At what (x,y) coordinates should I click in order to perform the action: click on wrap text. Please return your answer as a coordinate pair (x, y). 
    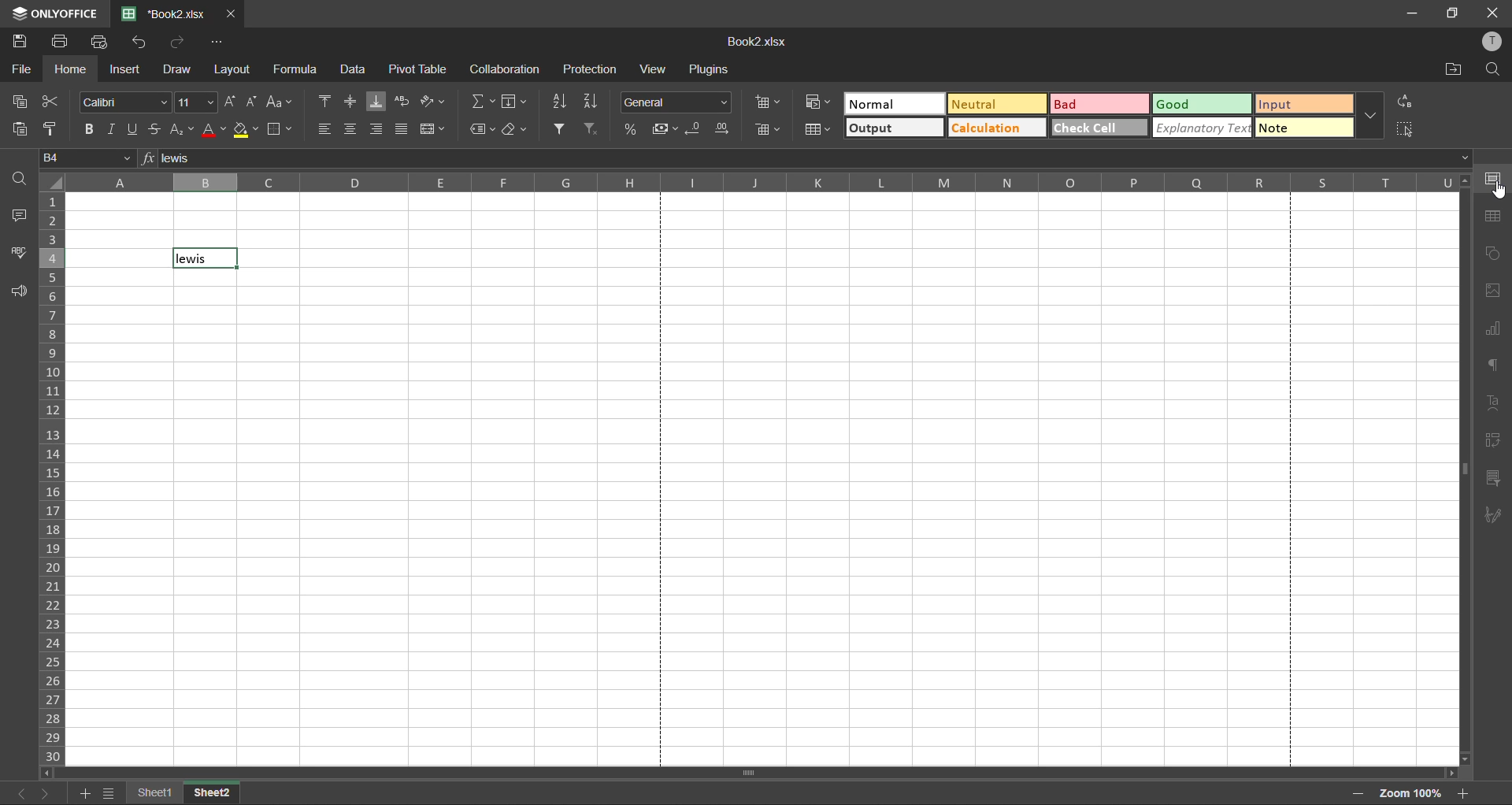
    Looking at the image, I should click on (403, 101).